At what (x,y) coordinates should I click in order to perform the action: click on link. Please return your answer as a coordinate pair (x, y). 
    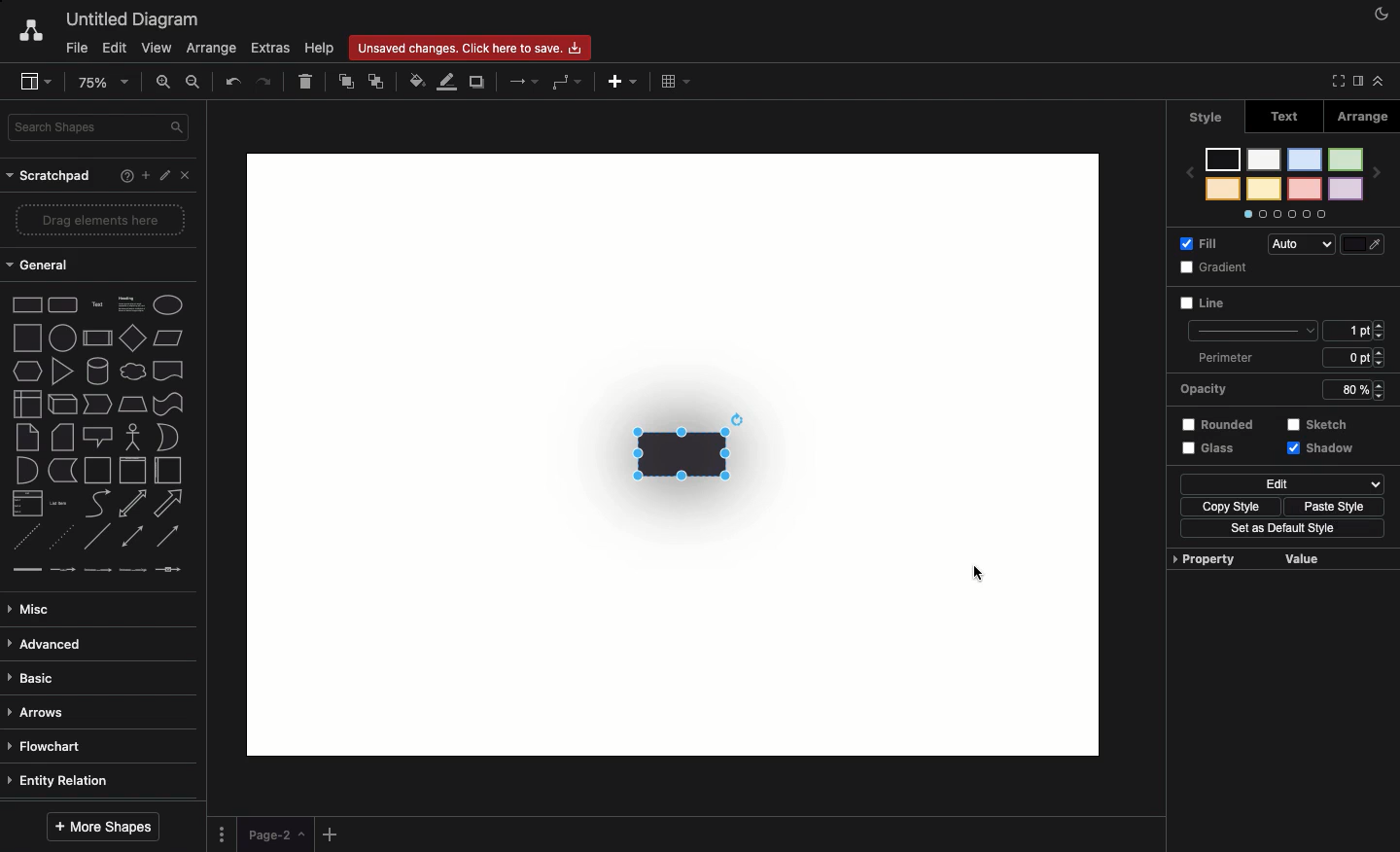
    Looking at the image, I should click on (24, 569).